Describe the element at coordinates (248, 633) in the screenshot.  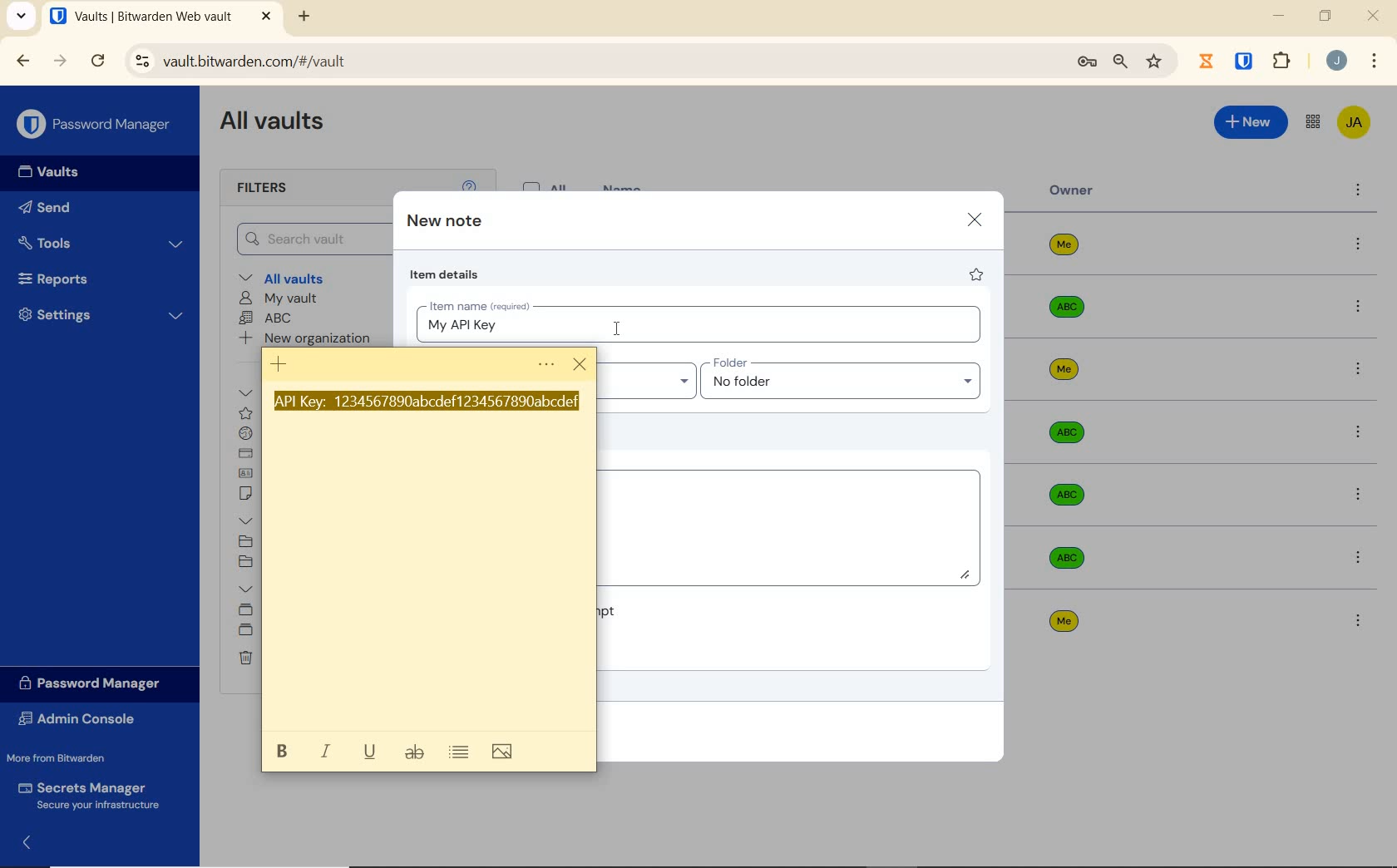
I see `shared folder` at that location.